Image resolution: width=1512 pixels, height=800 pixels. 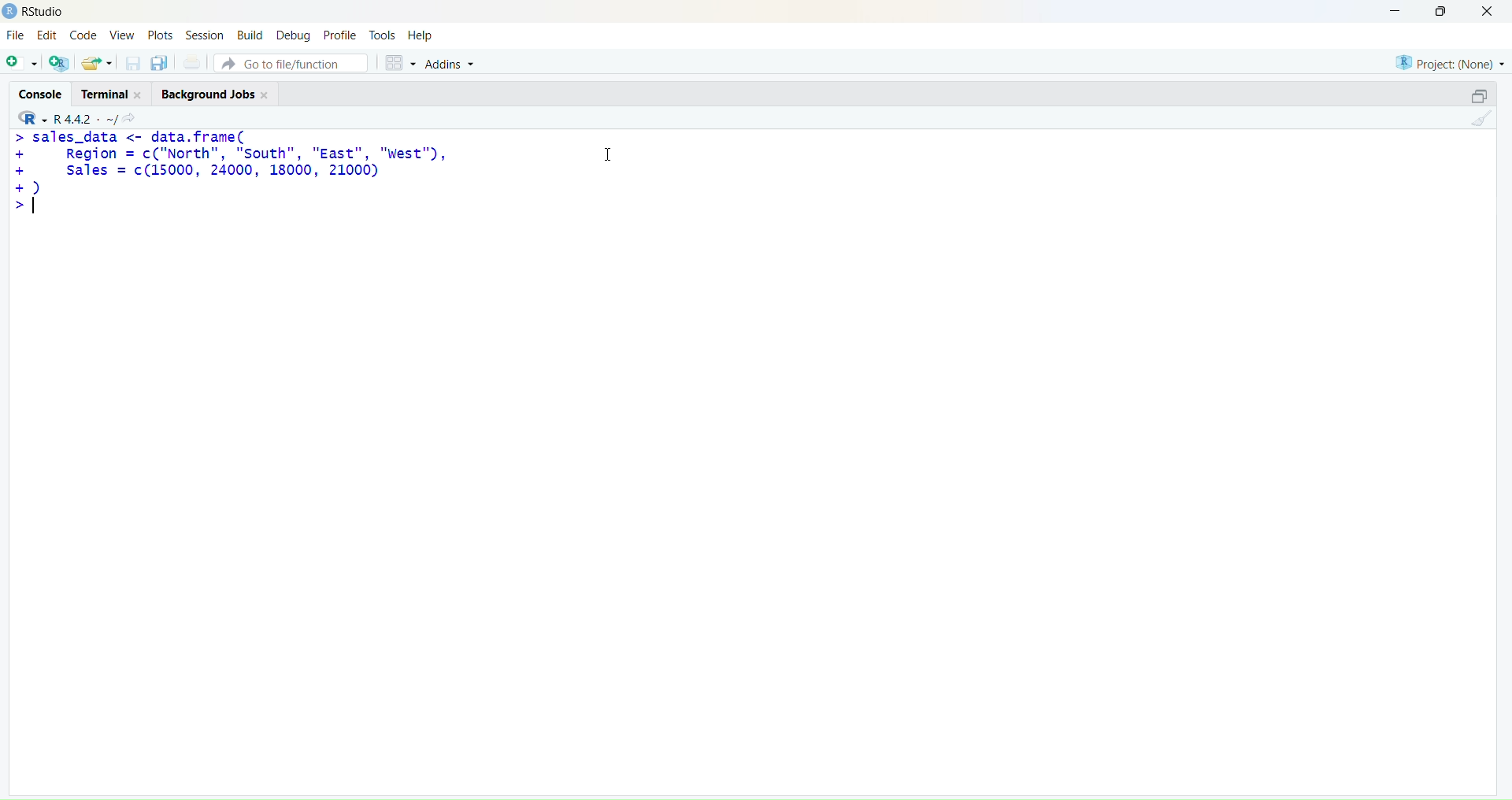 I want to click on Help, so click(x=423, y=36).